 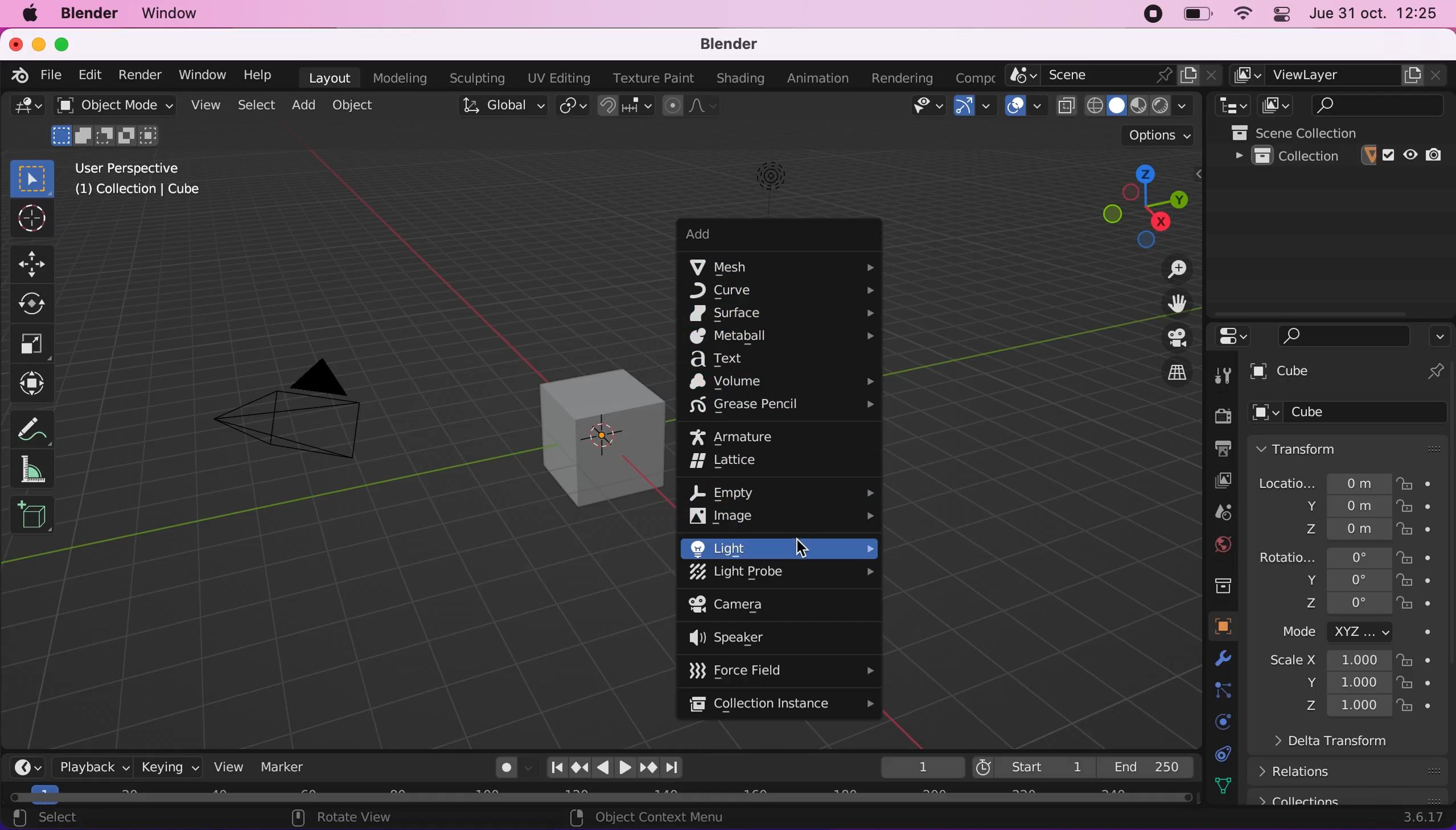 I want to click on minimize, so click(x=38, y=45).